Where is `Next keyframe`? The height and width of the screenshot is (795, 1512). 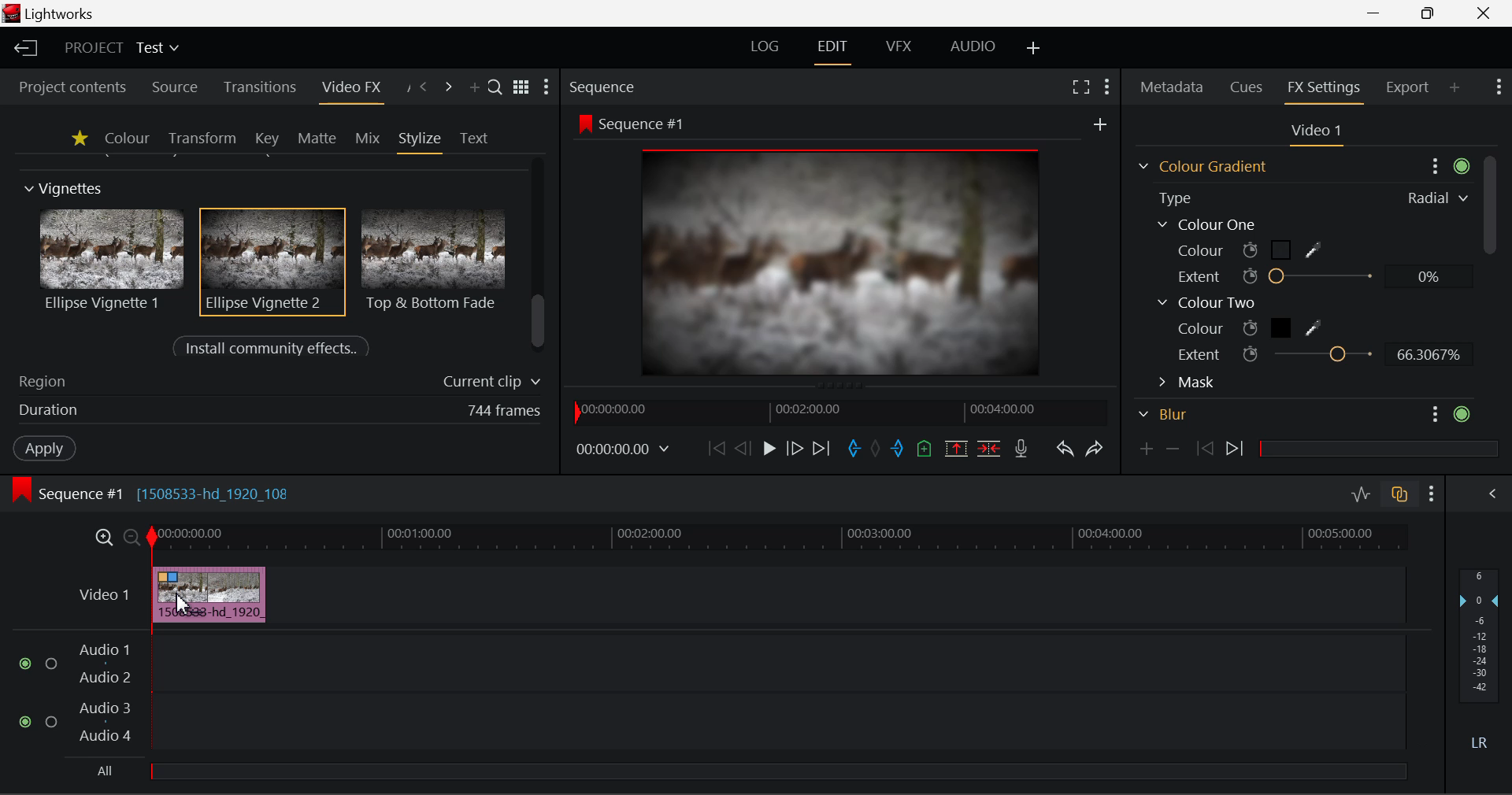 Next keyframe is located at coordinates (1235, 452).